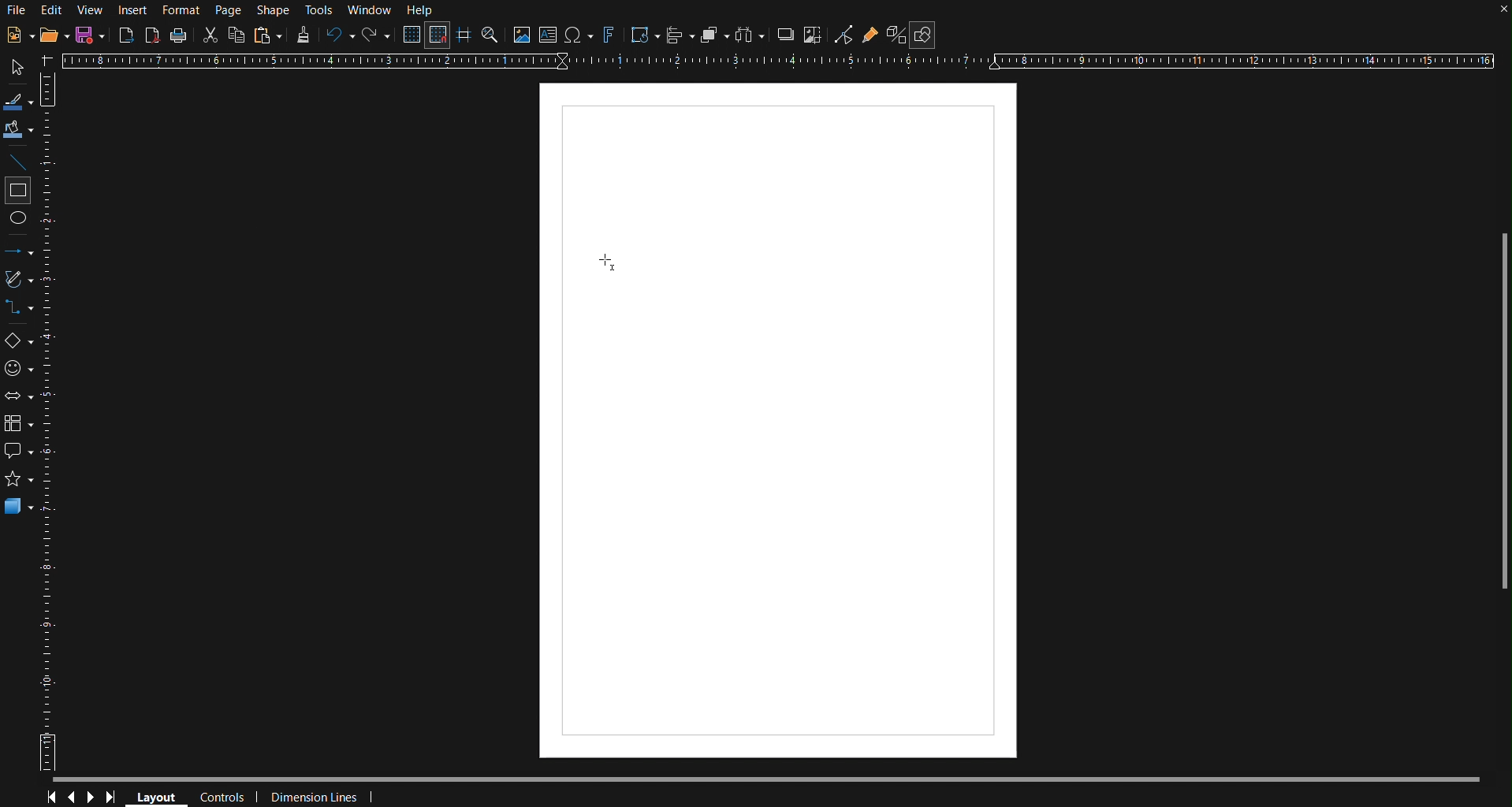 The image size is (1512, 807). I want to click on Snap to Grid, so click(437, 35).